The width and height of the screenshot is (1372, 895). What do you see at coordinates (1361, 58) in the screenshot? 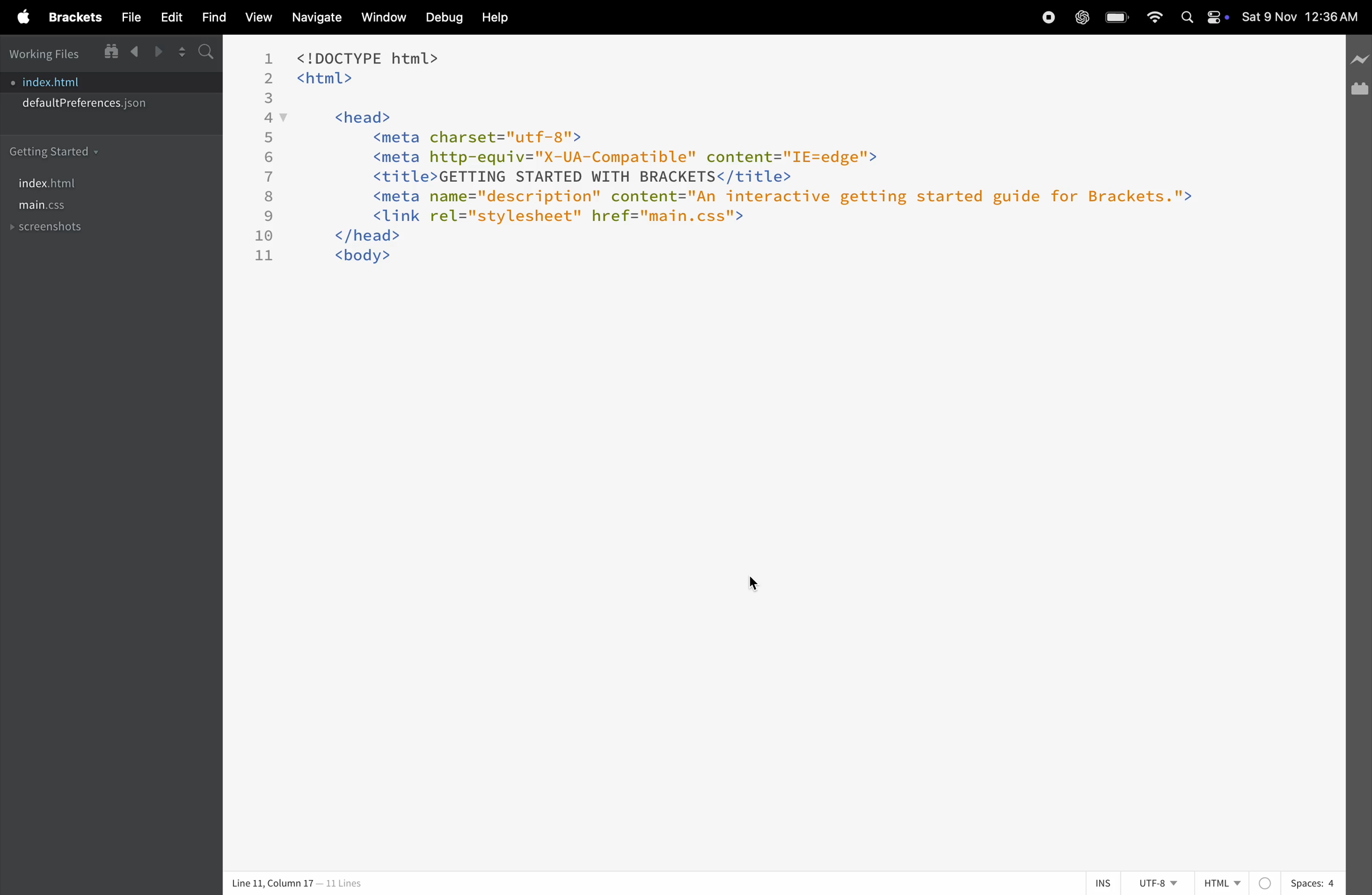
I see `icon` at bounding box center [1361, 58].